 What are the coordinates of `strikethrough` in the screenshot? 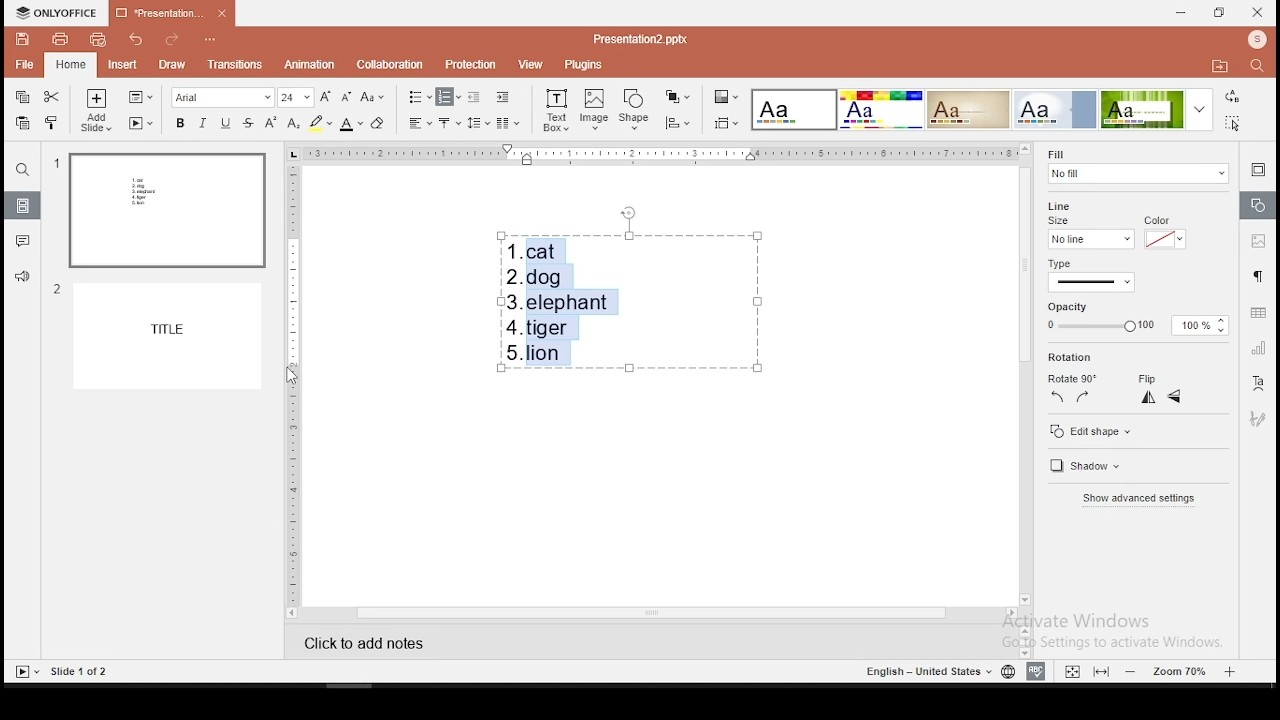 It's located at (248, 122).